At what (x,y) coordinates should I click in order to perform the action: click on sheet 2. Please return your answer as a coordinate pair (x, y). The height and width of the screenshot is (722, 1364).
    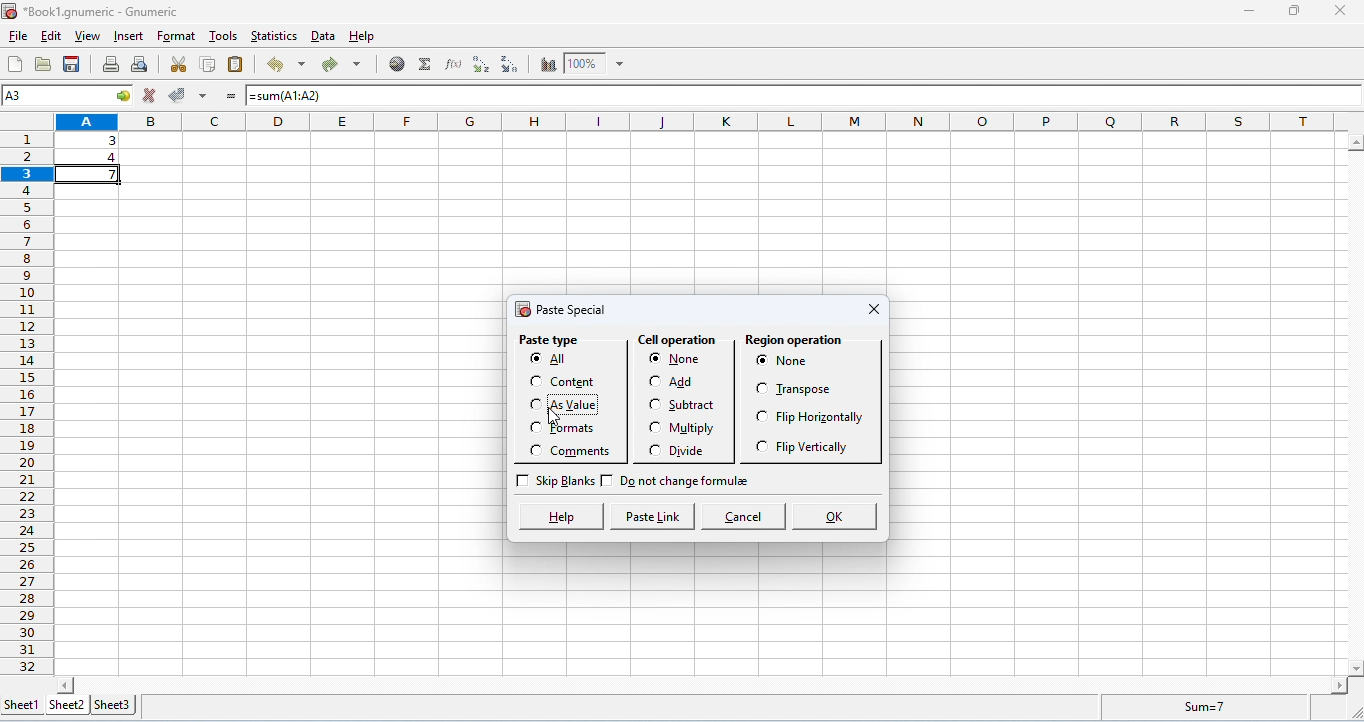
    Looking at the image, I should click on (66, 705).